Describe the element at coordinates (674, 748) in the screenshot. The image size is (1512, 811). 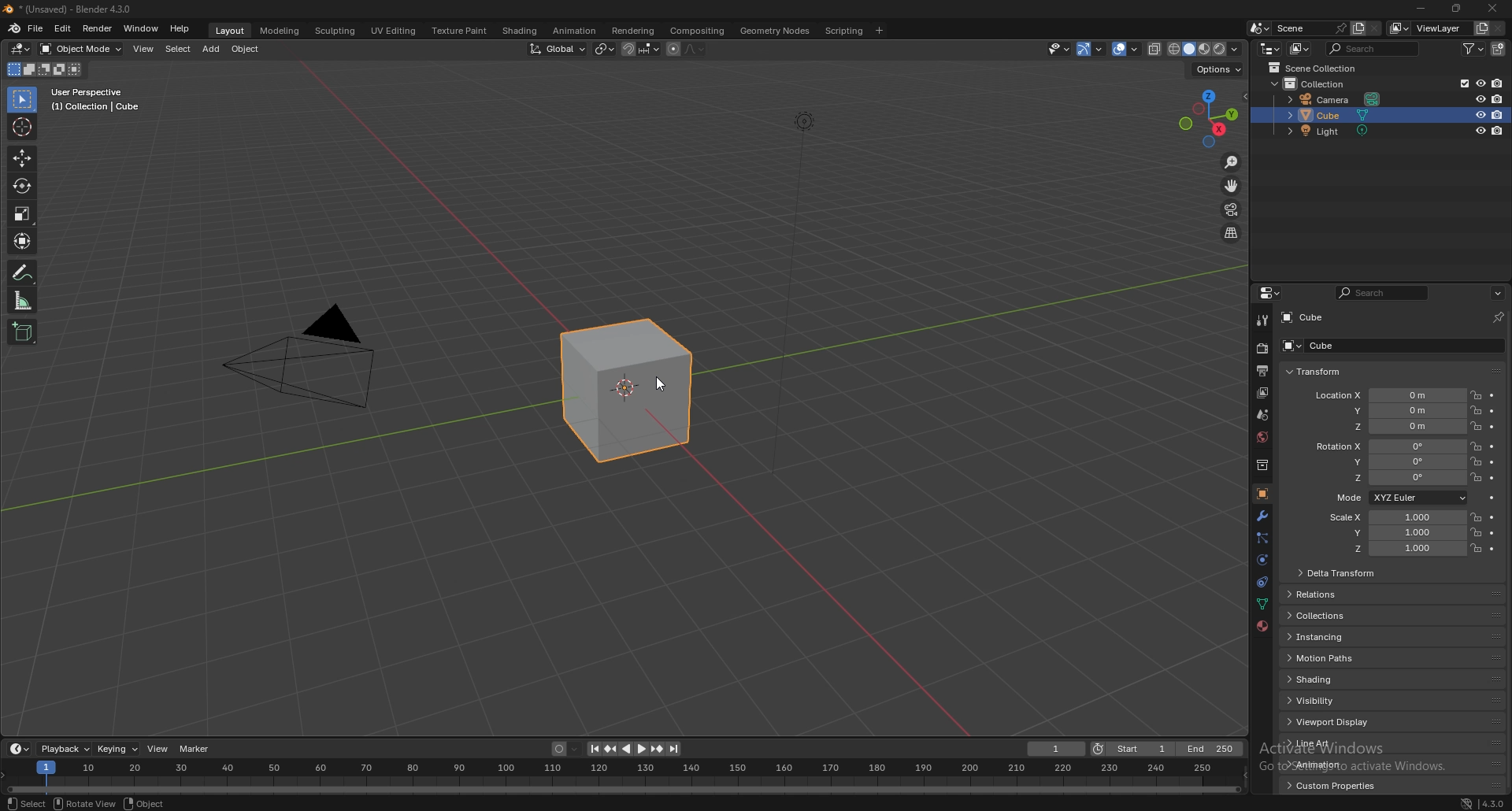
I see `jump to endpoint` at that location.